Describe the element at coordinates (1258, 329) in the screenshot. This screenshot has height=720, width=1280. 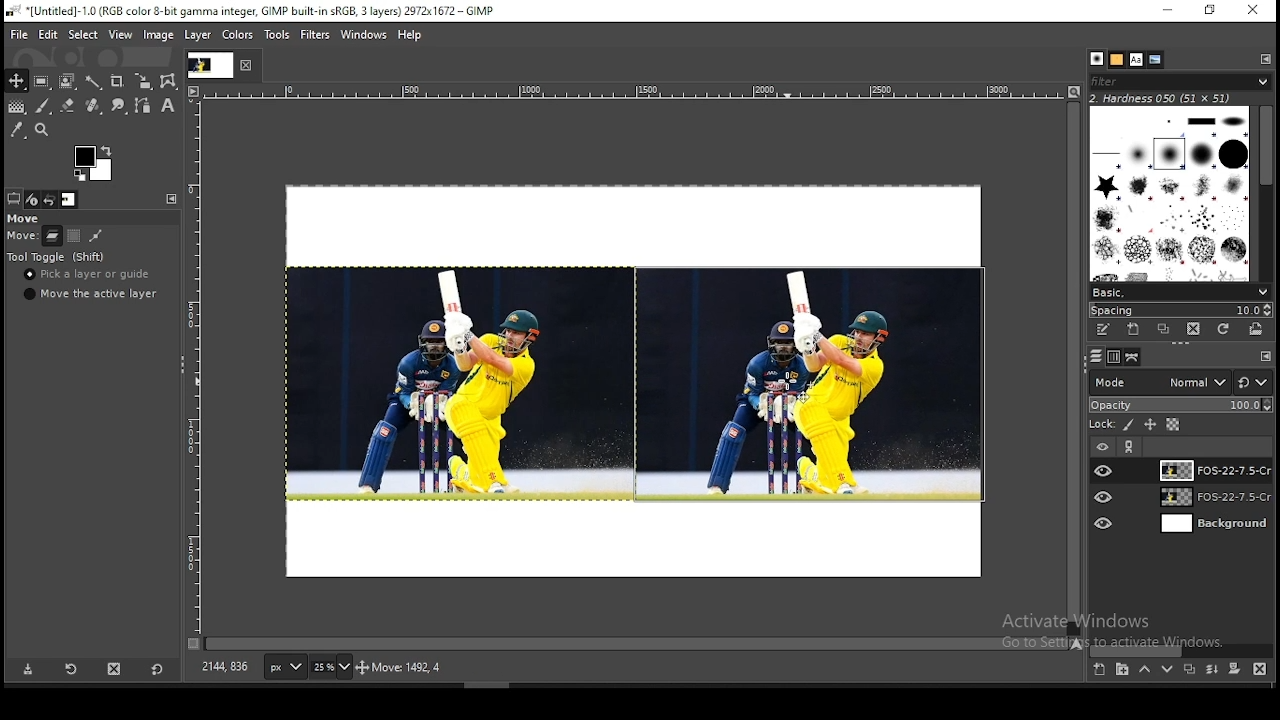
I see `open brush as image` at that location.